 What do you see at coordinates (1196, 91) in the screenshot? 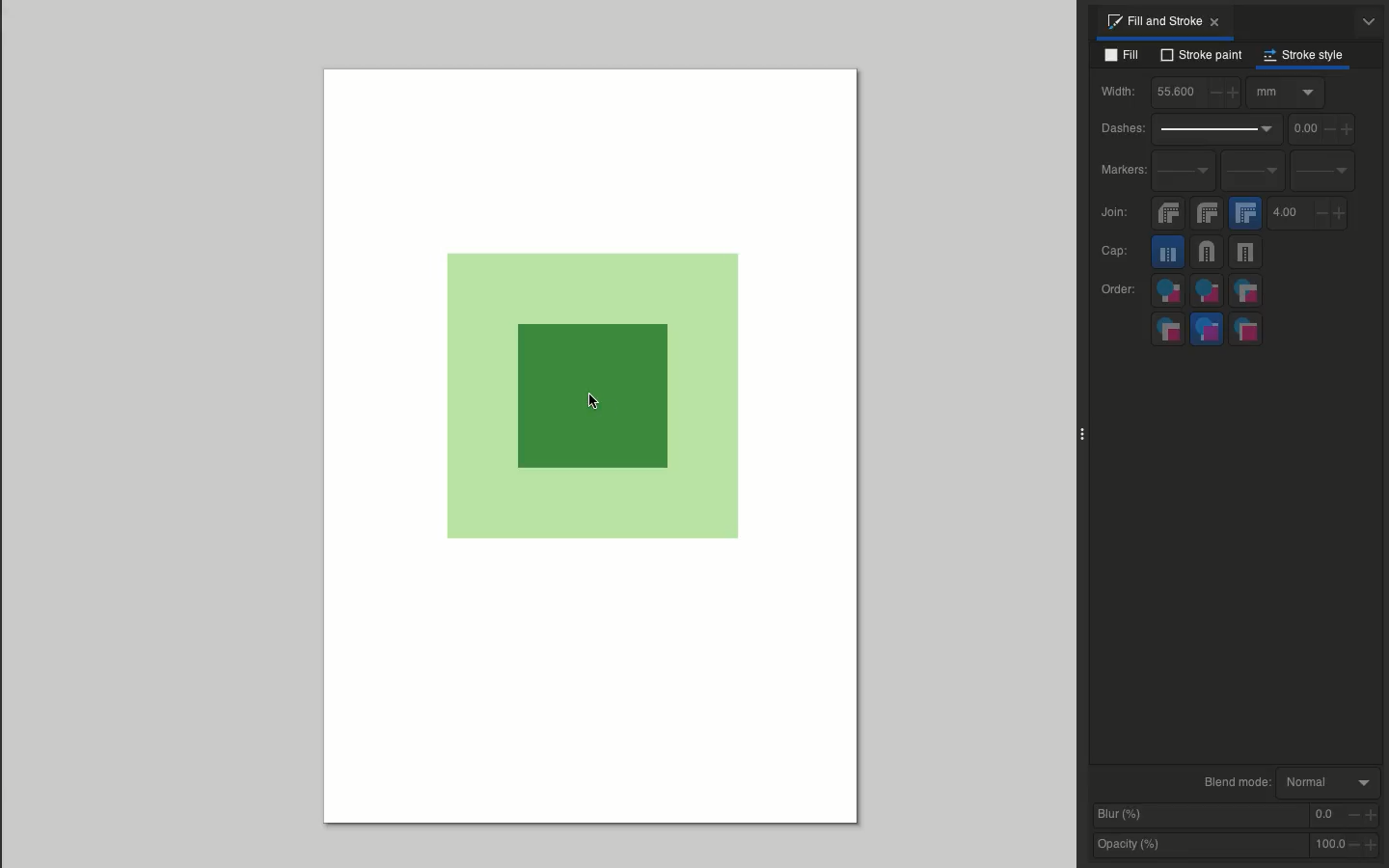
I see `55.6` at bounding box center [1196, 91].